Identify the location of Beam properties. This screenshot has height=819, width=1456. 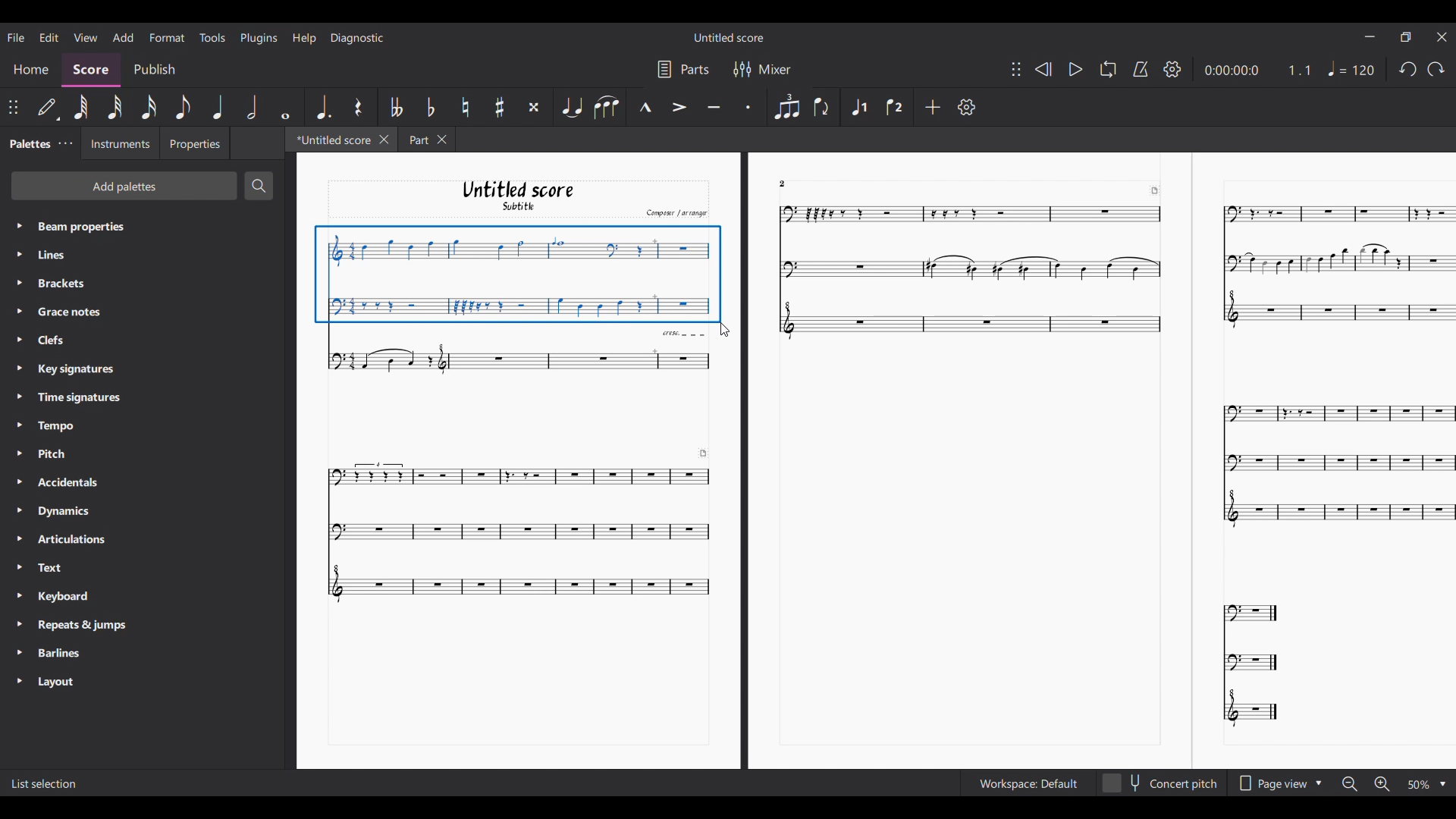
(118, 226).